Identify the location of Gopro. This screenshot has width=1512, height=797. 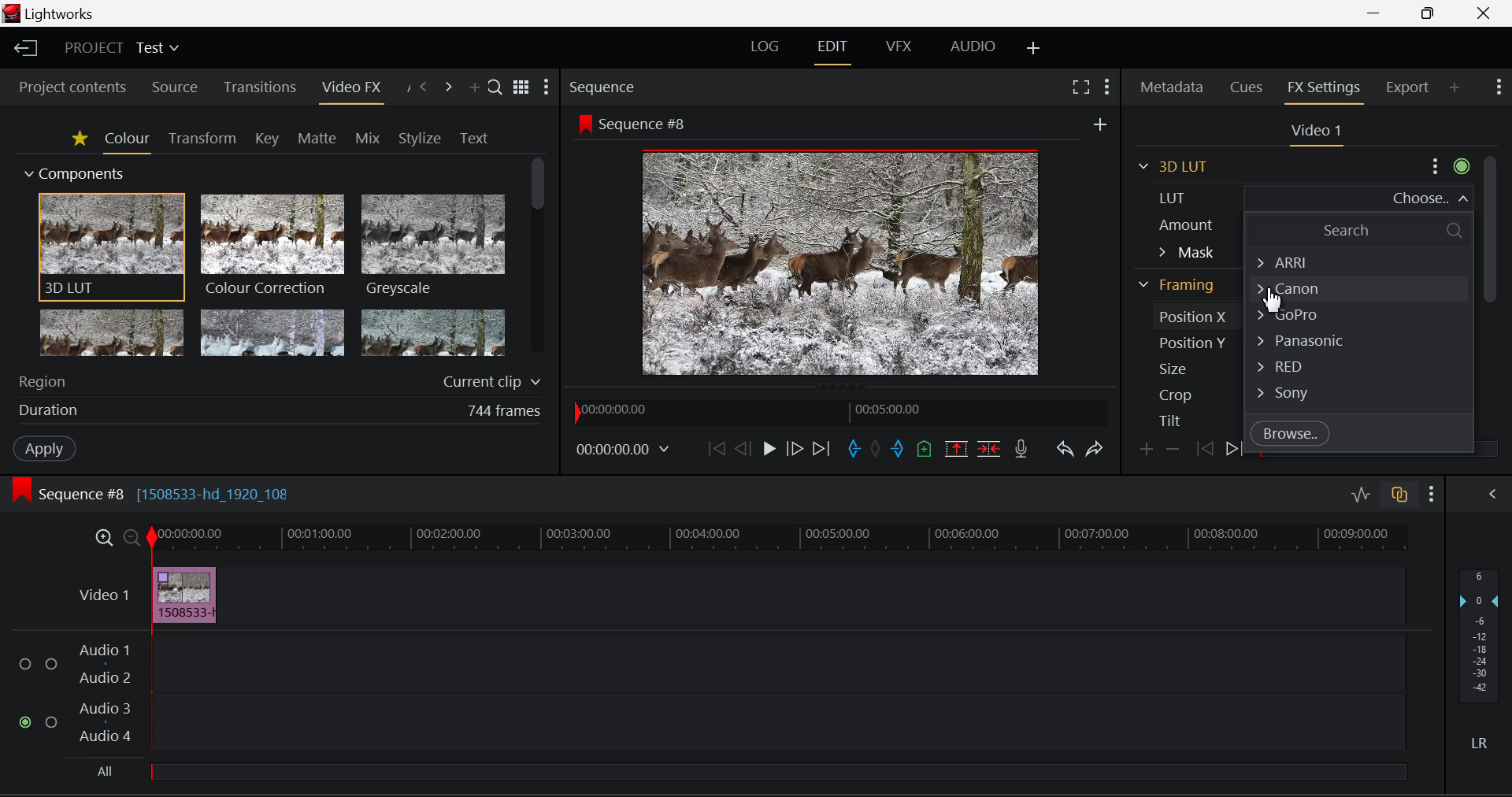
(1345, 313).